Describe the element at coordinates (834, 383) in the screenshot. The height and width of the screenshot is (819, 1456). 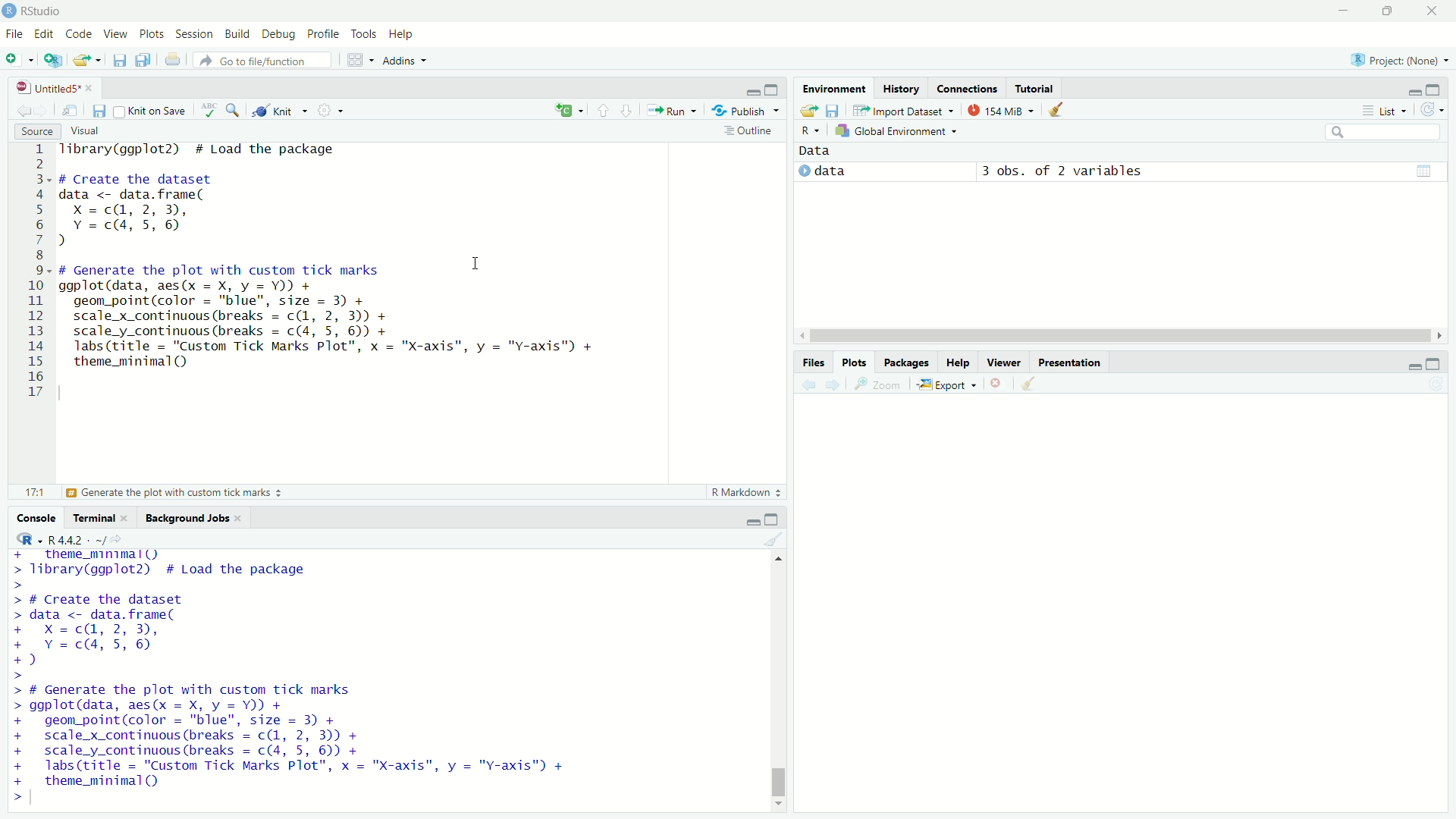
I see `next plot` at that location.